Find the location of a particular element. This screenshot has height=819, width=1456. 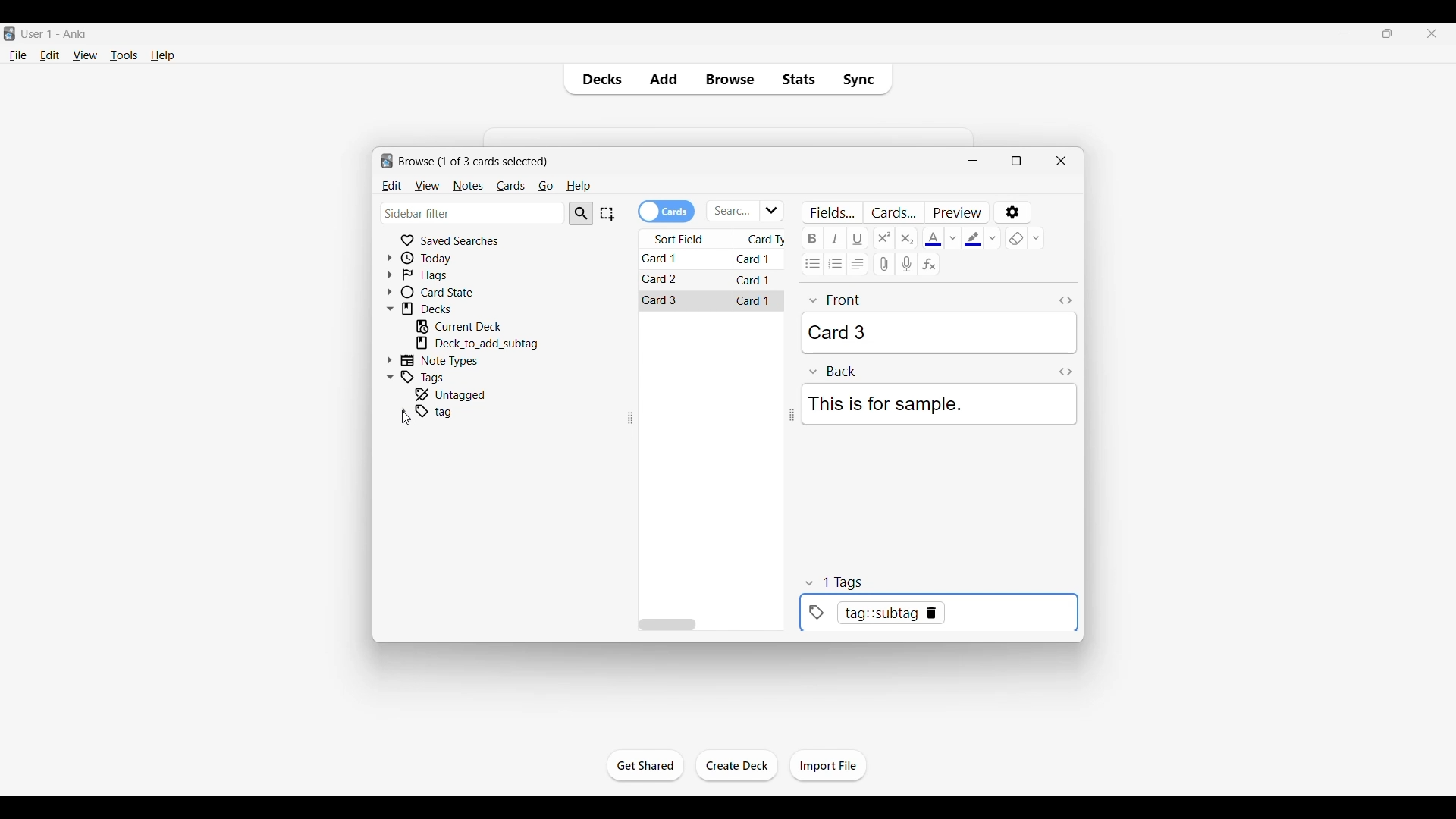

eraser is located at coordinates (1016, 238).